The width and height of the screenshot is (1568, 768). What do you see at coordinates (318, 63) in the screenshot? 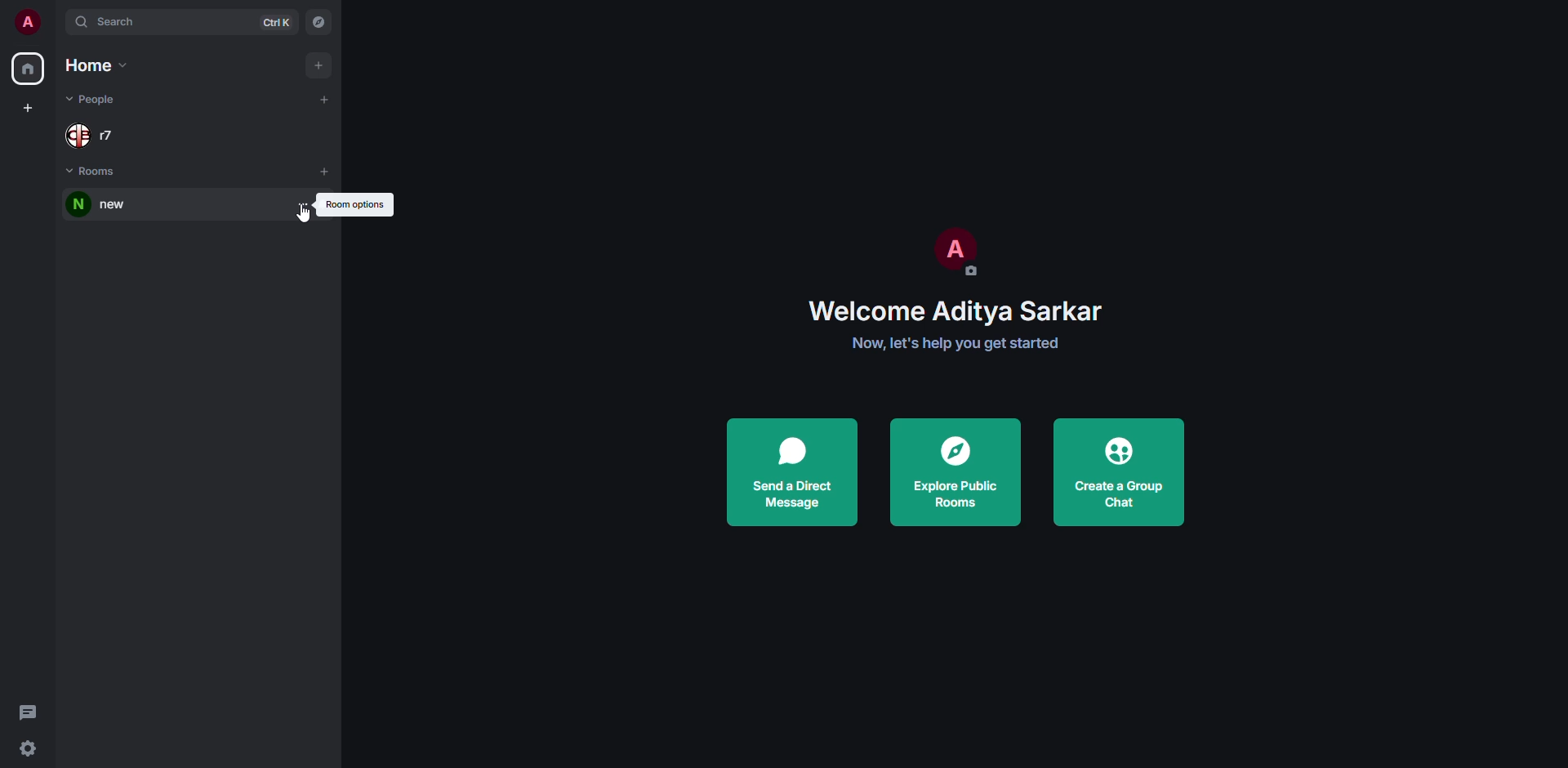
I see `add` at bounding box center [318, 63].